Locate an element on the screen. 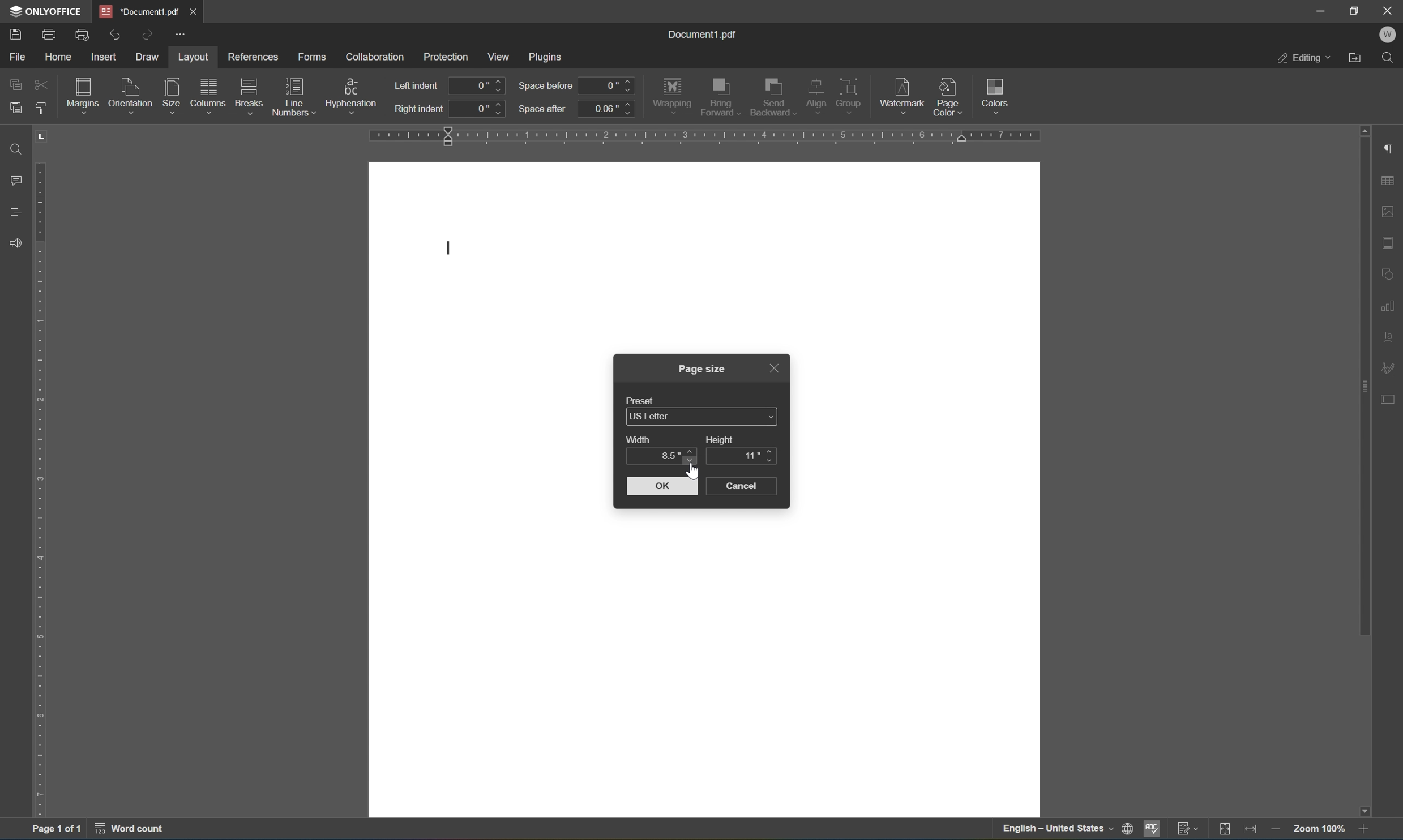  columns is located at coordinates (207, 90).